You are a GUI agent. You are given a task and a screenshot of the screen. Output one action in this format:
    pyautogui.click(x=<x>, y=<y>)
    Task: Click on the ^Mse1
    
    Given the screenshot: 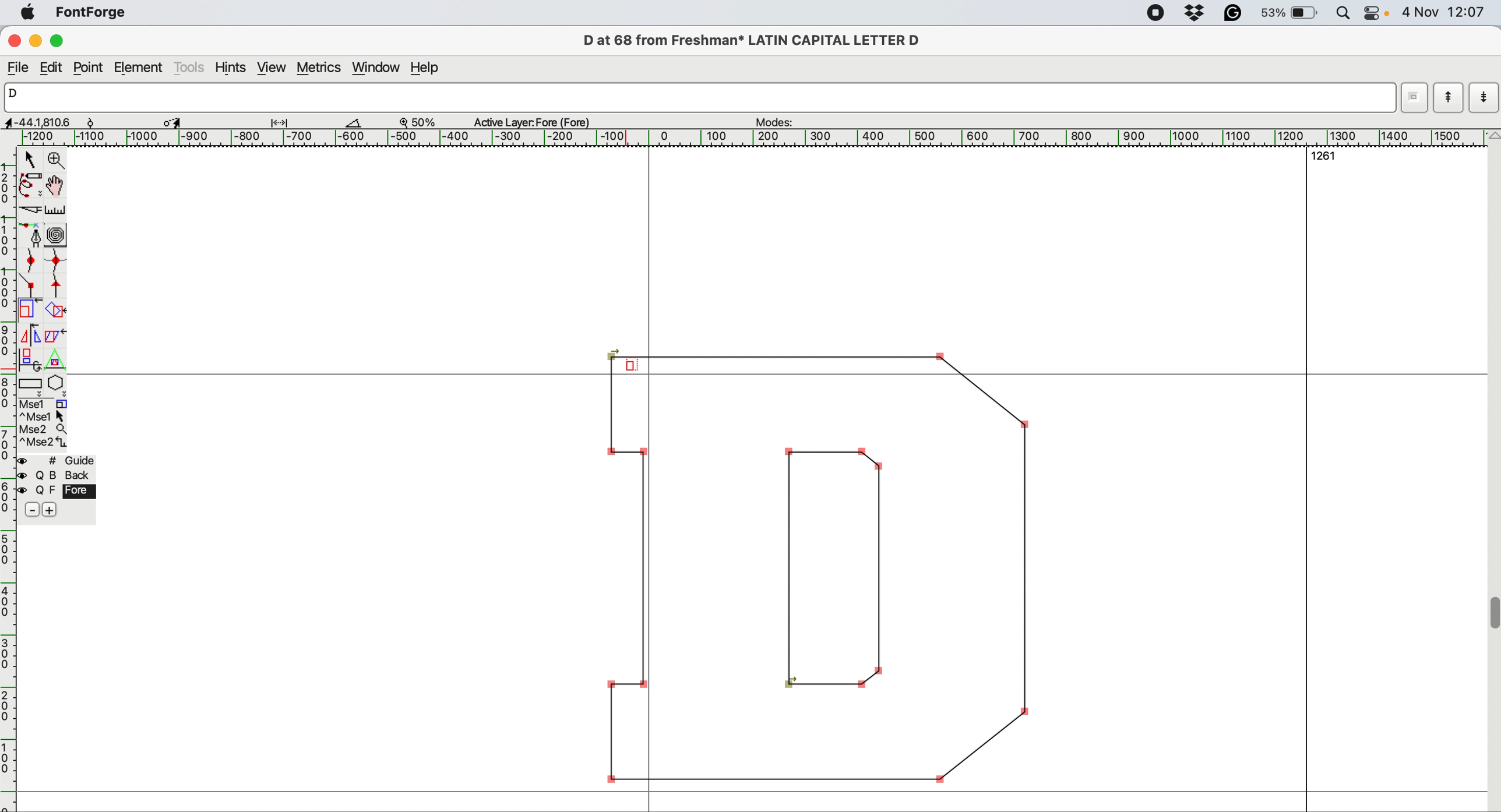 What is the action you would take?
    pyautogui.click(x=45, y=416)
    